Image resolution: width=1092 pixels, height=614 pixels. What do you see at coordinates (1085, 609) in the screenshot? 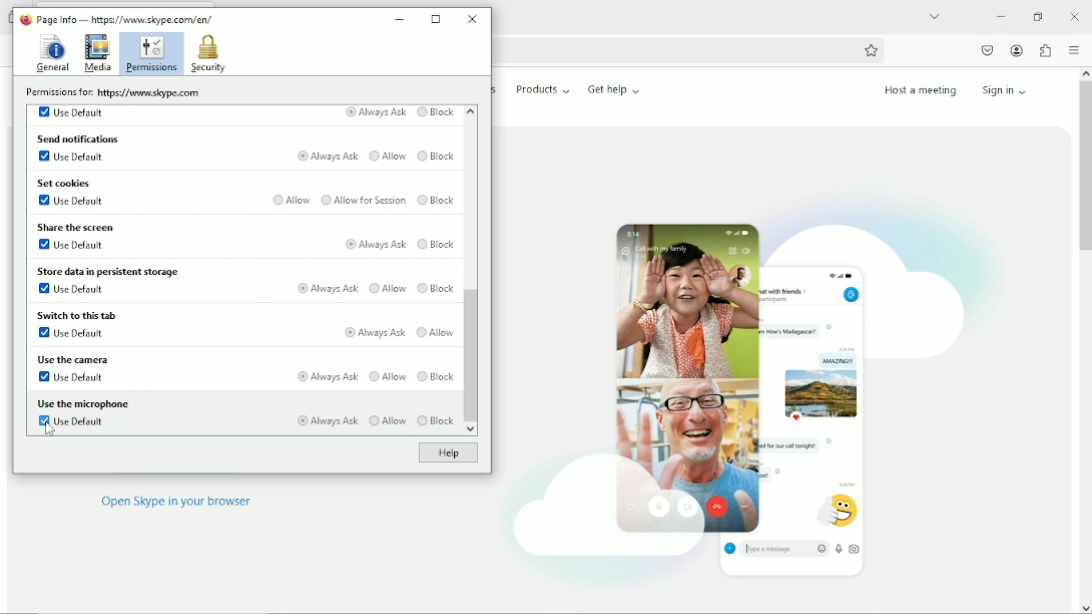
I see `scroll down` at bounding box center [1085, 609].